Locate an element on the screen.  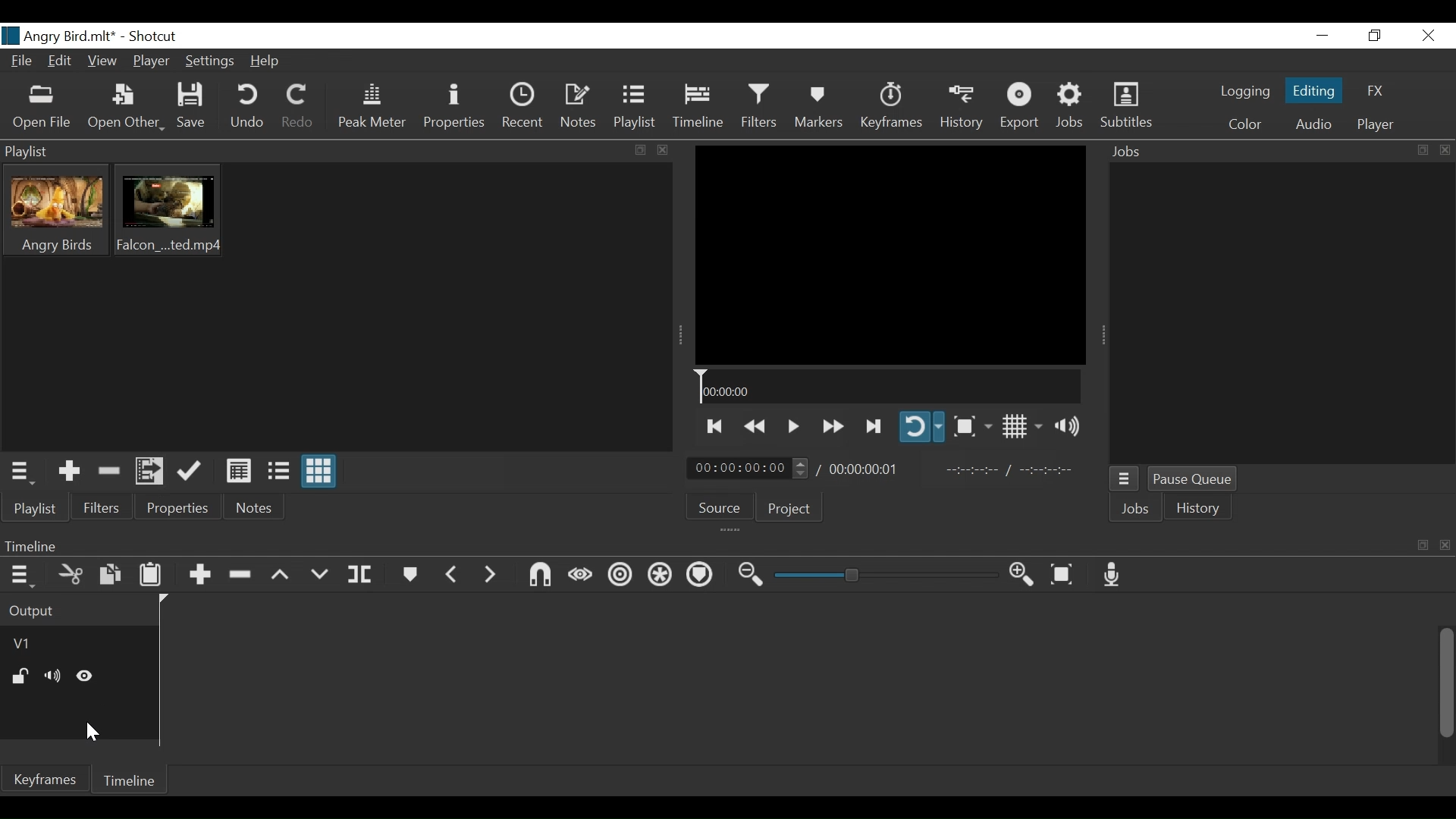
Open File is located at coordinates (42, 108).